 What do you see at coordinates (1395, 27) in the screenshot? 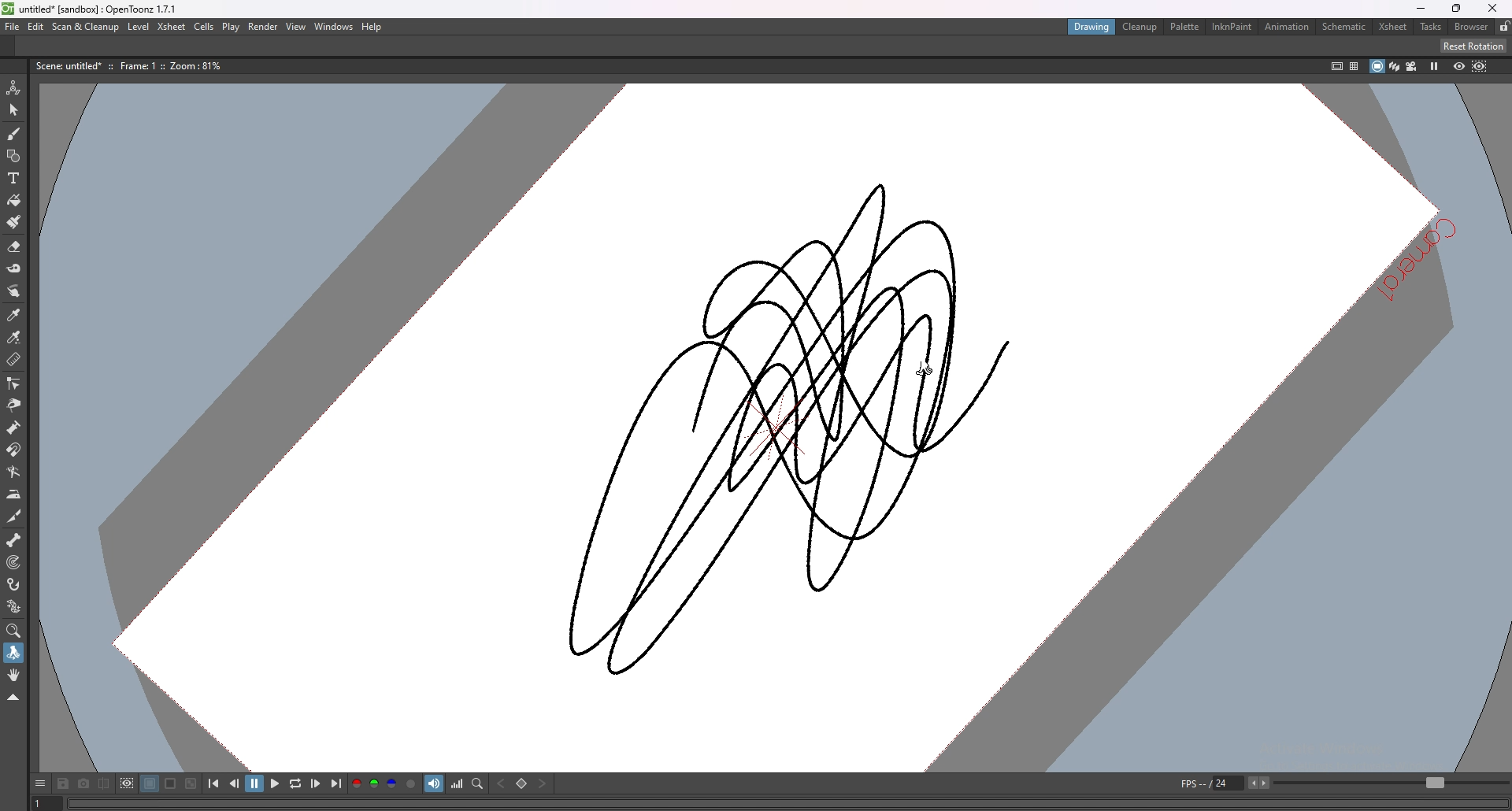
I see `xsheet` at bounding box center [1395, 27].